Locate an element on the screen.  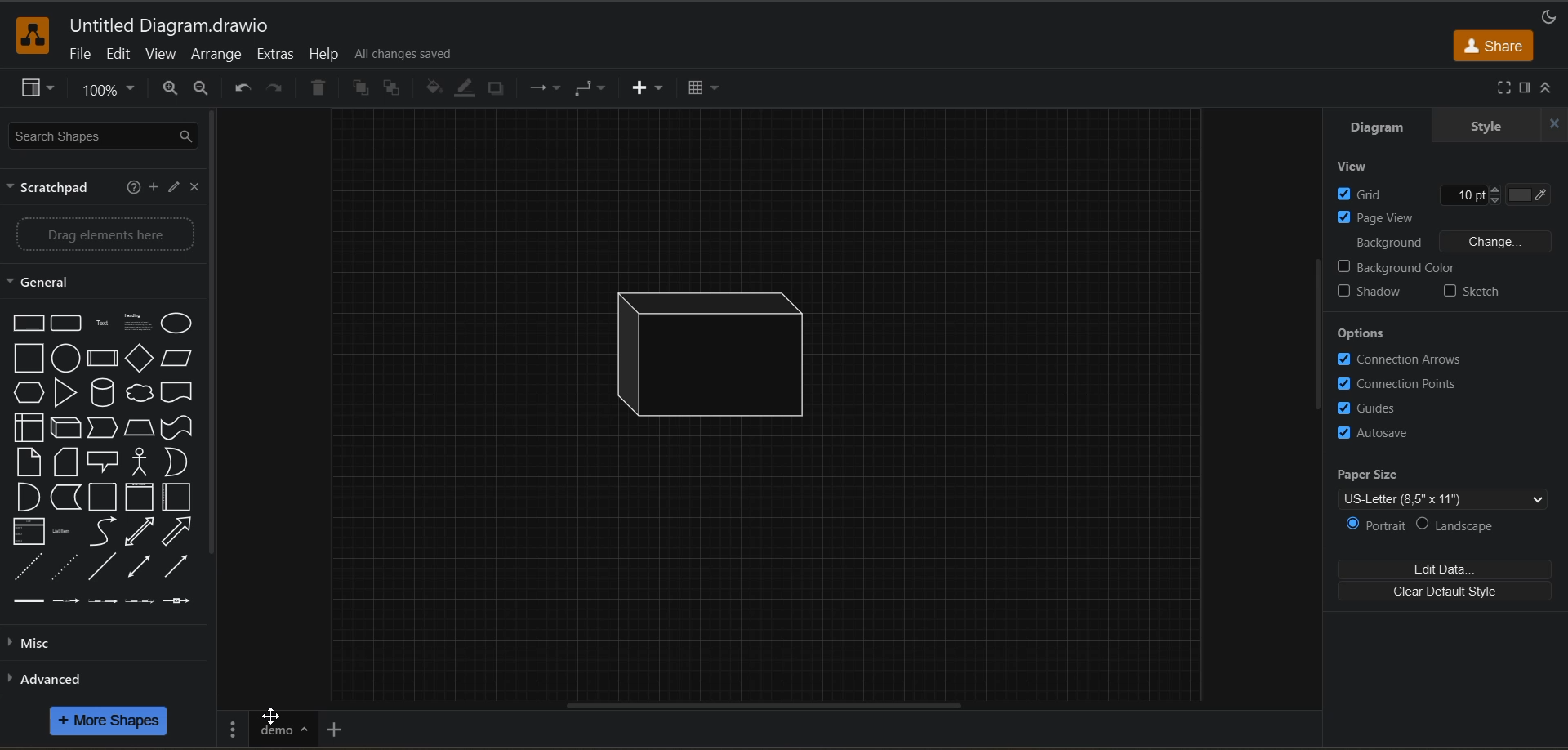
autosave is located at coordinates (1378, 434).